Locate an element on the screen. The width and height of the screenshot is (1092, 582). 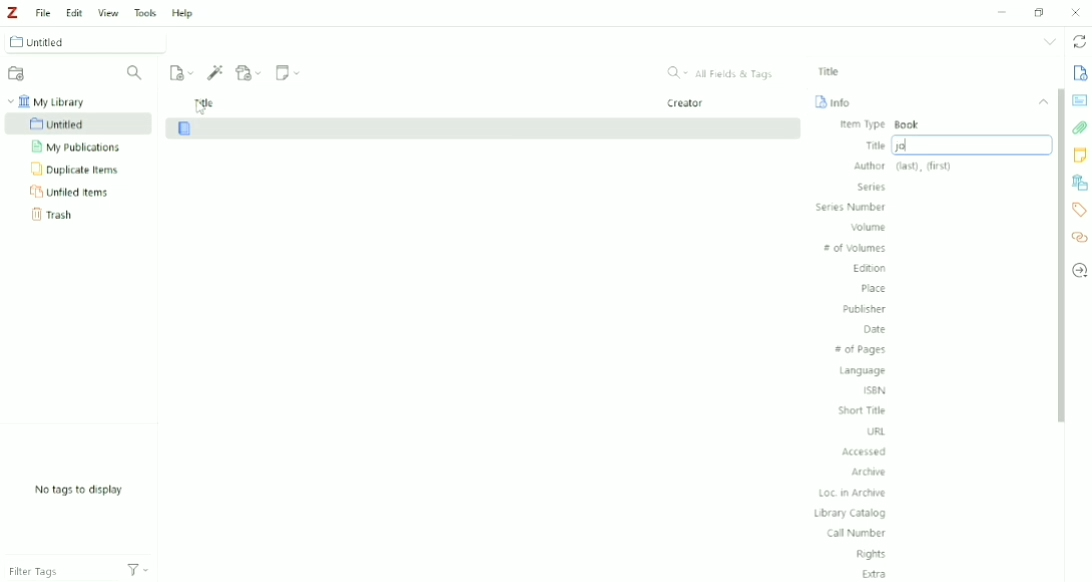
Related is located at coordinates (1079, 236).